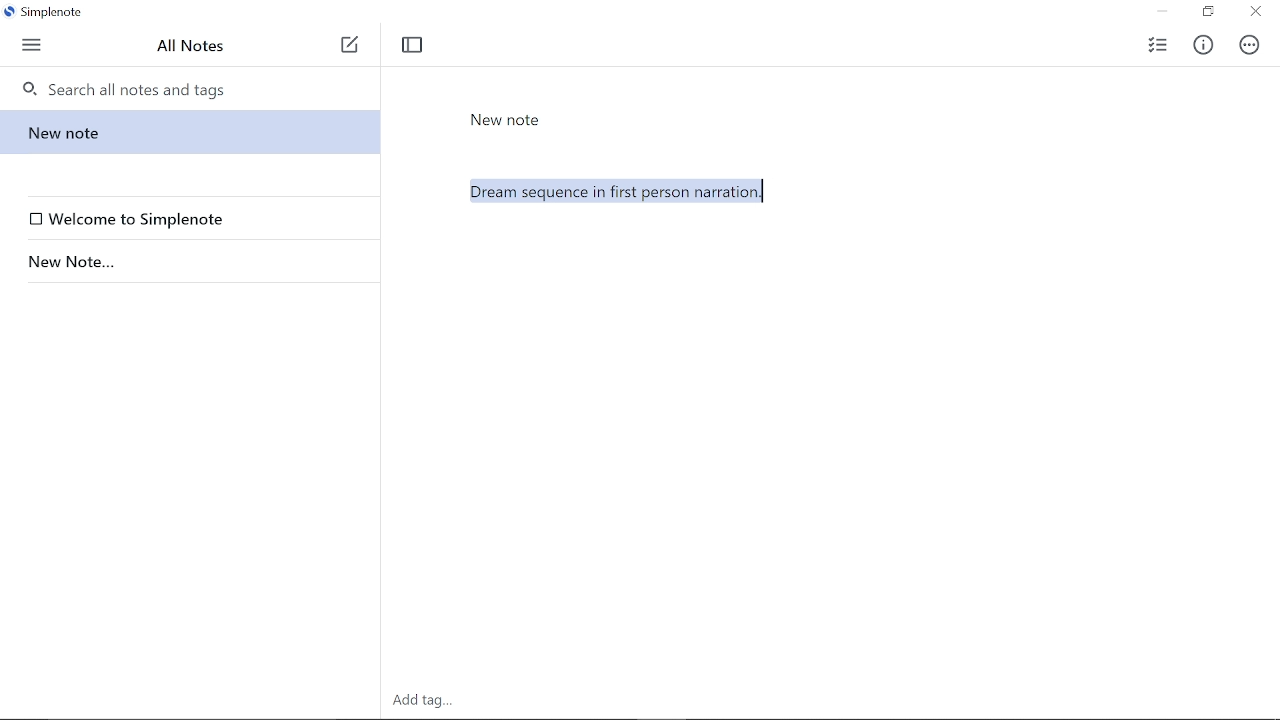 The image size is (1280, 720). Describe the element at coordinates (197, 88) in the screenshot. I see `Search all notes and tags` at that location.